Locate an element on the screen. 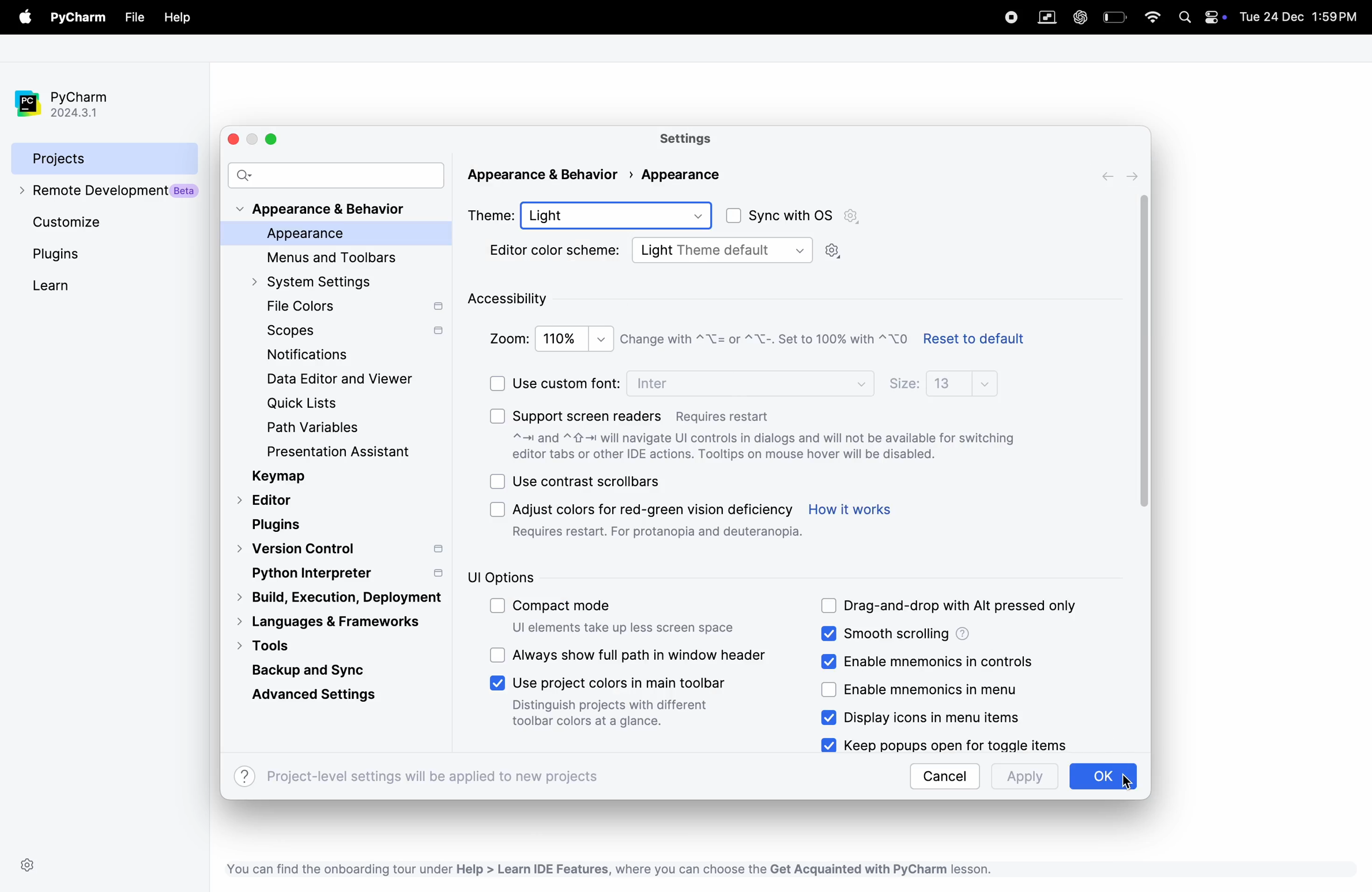  settings is located at coordinates (31, 864).